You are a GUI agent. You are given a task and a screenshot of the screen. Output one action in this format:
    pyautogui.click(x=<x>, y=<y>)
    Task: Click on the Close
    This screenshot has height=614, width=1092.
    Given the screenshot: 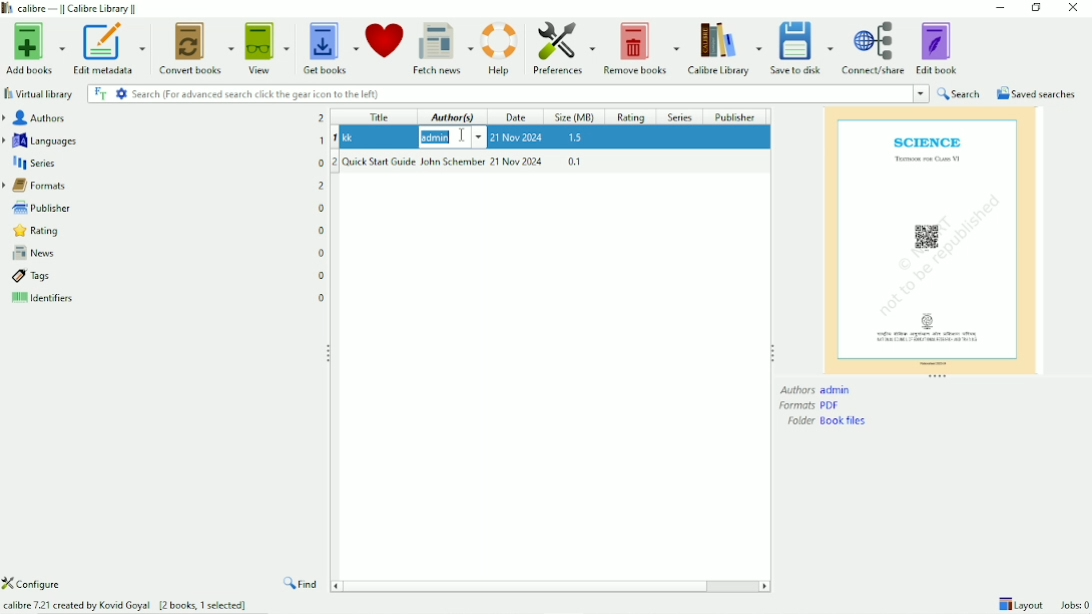 What is the action you would take?
    pyautogui.click(x=1073, y=8)
    